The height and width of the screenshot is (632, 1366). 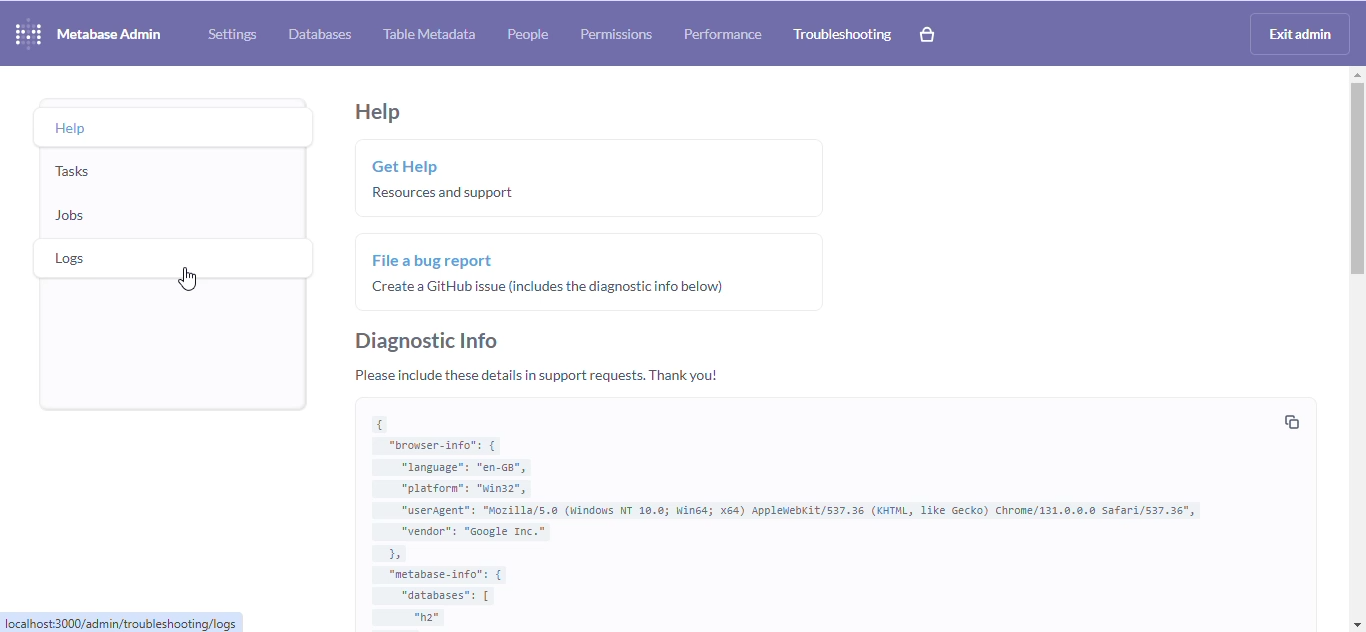 What do you see at coordinates (378, 113) in the screenshot?
I see `help` at bounding box center [378, 113].